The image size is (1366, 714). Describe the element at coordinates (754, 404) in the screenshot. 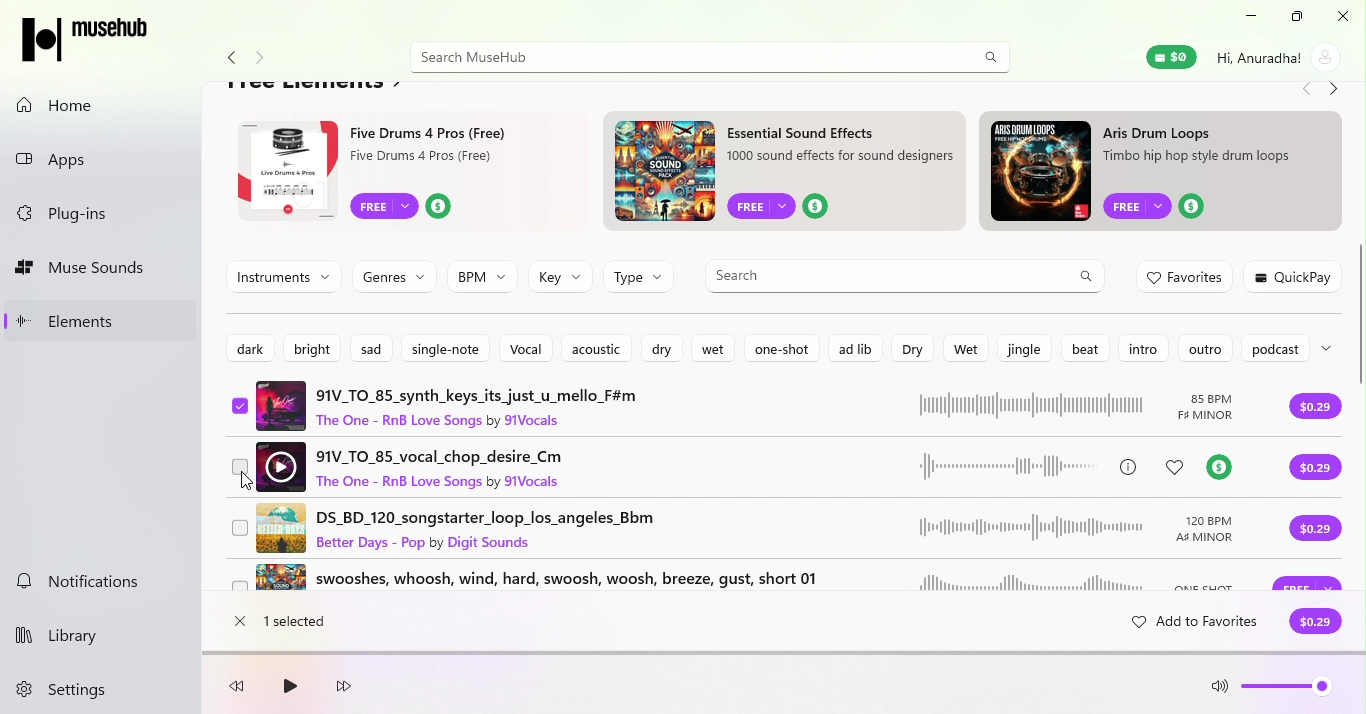

I see `91V_TO_85_synth_keys_its_just_u_mello_f#m` at that location.